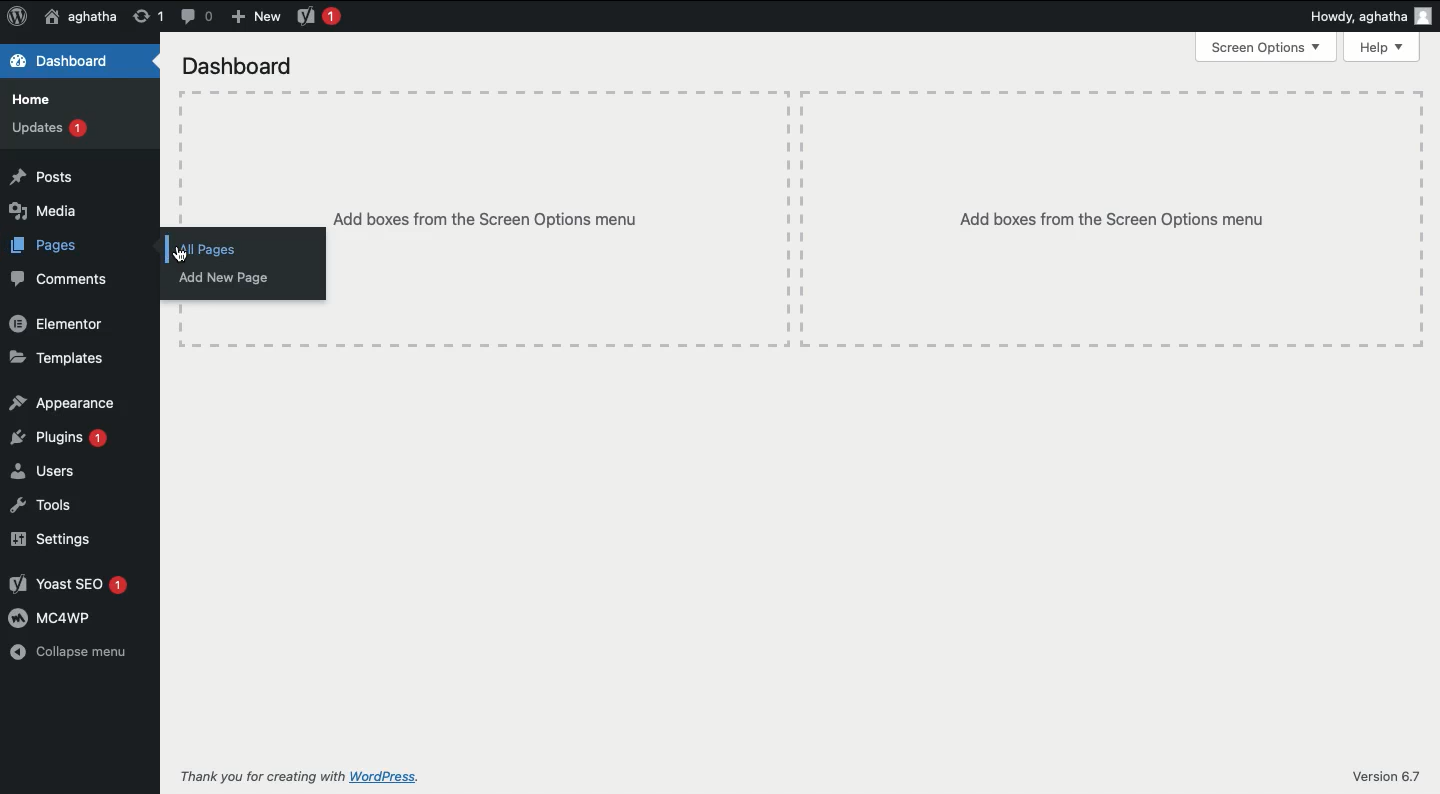 This screenshot has width=1440, height=794. I want to click on Yoast, so click(318, 16).